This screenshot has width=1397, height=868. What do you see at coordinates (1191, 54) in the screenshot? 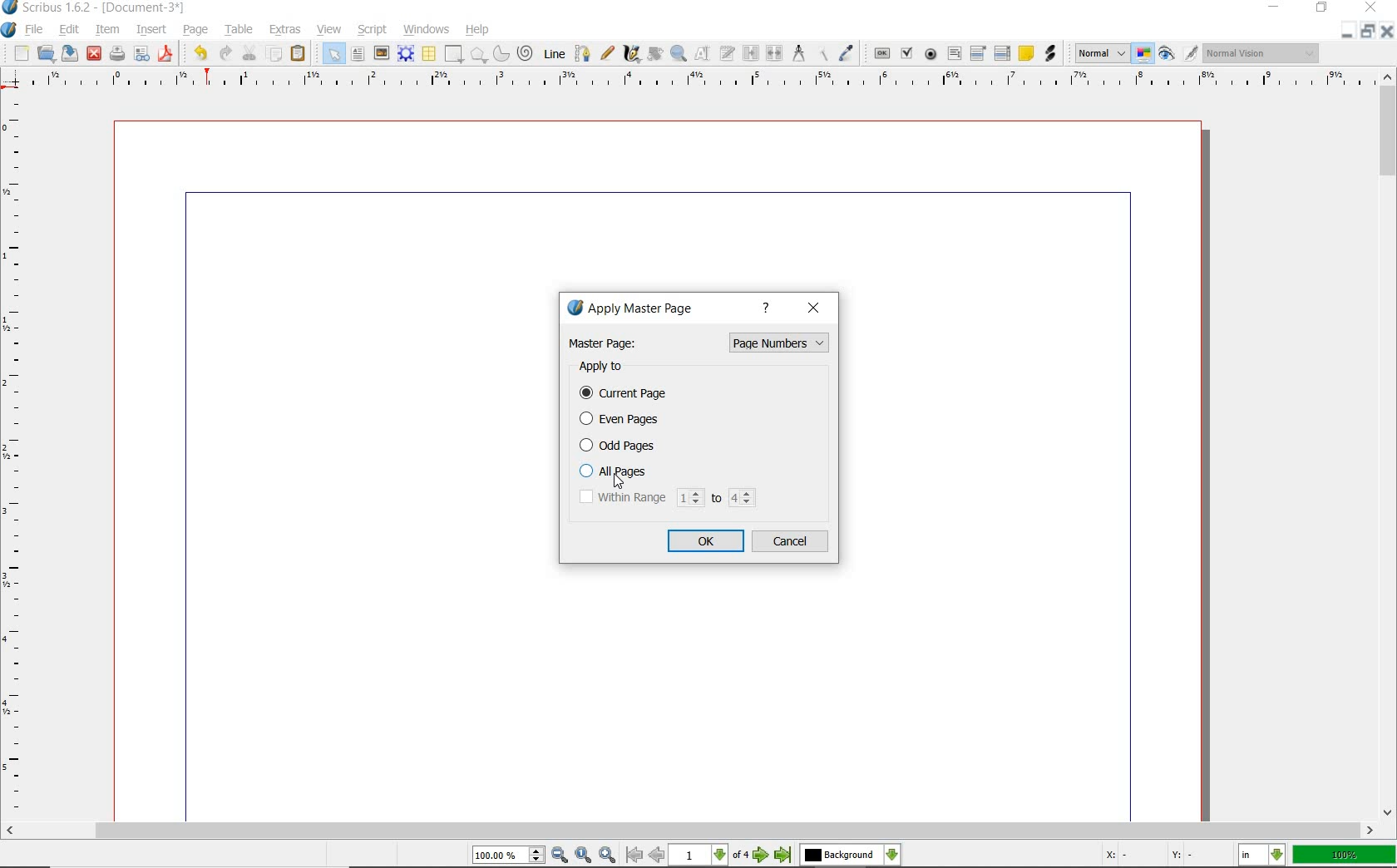
I see `Edit in preview mode` at bounding box center [1191, 54].